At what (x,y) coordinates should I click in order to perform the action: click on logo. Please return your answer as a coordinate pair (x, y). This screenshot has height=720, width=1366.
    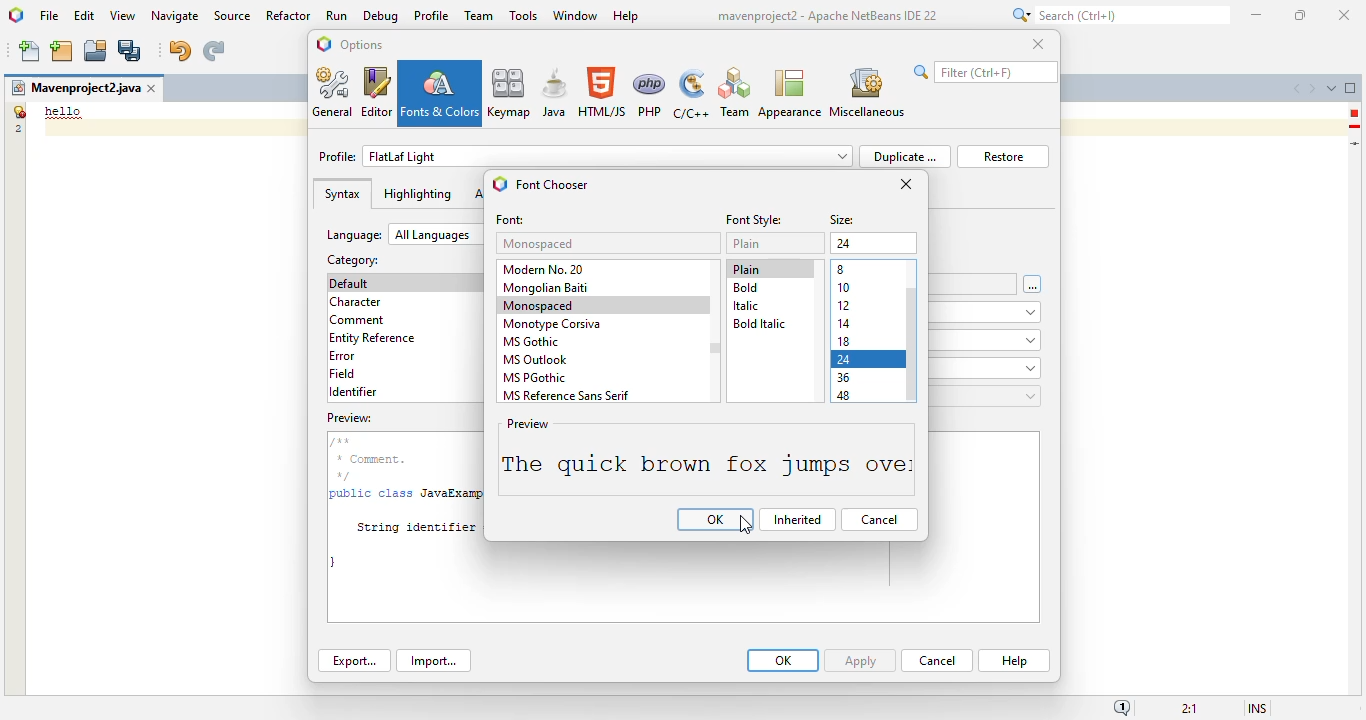
    Looking at the image, I should click on (500, 184).